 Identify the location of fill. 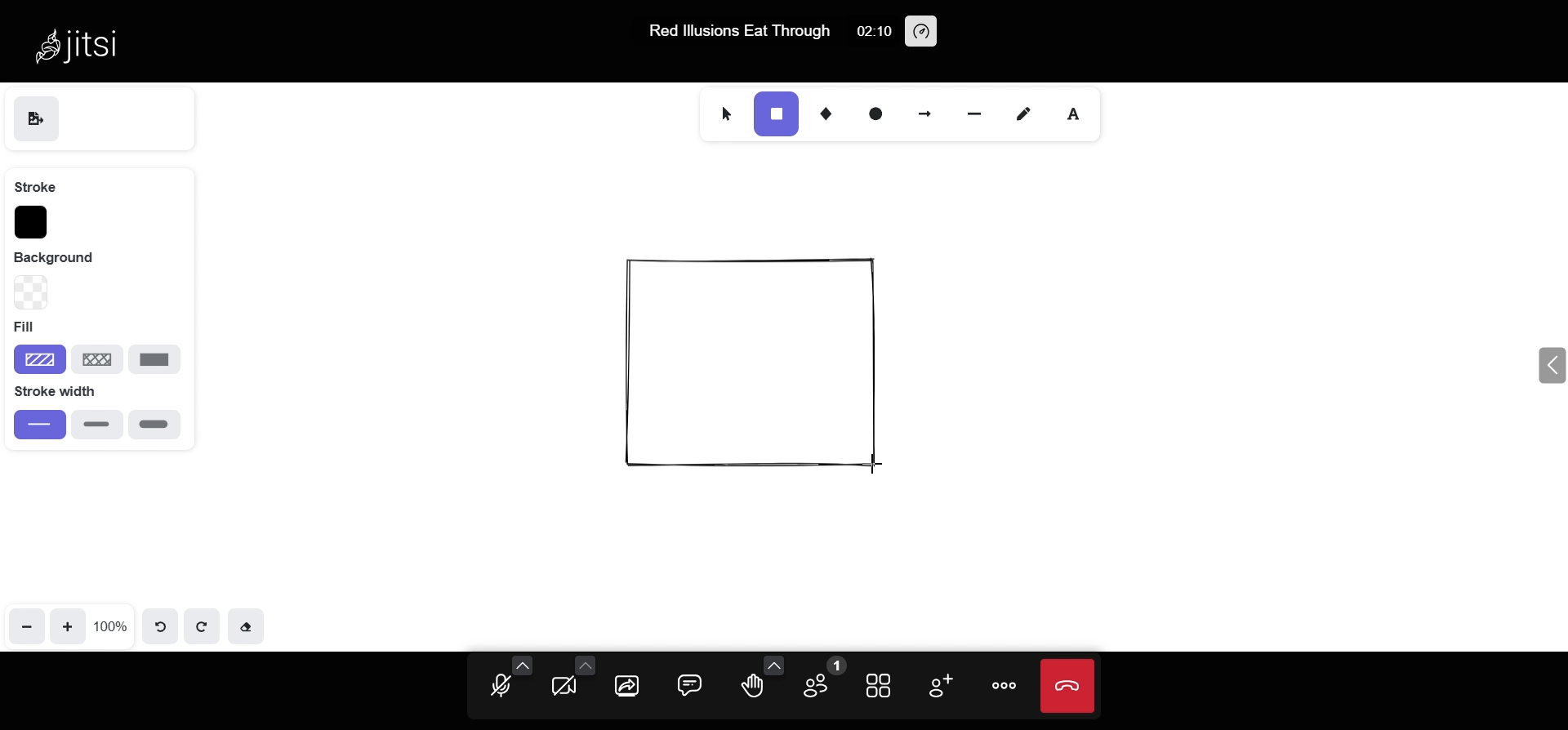
(24, 325).